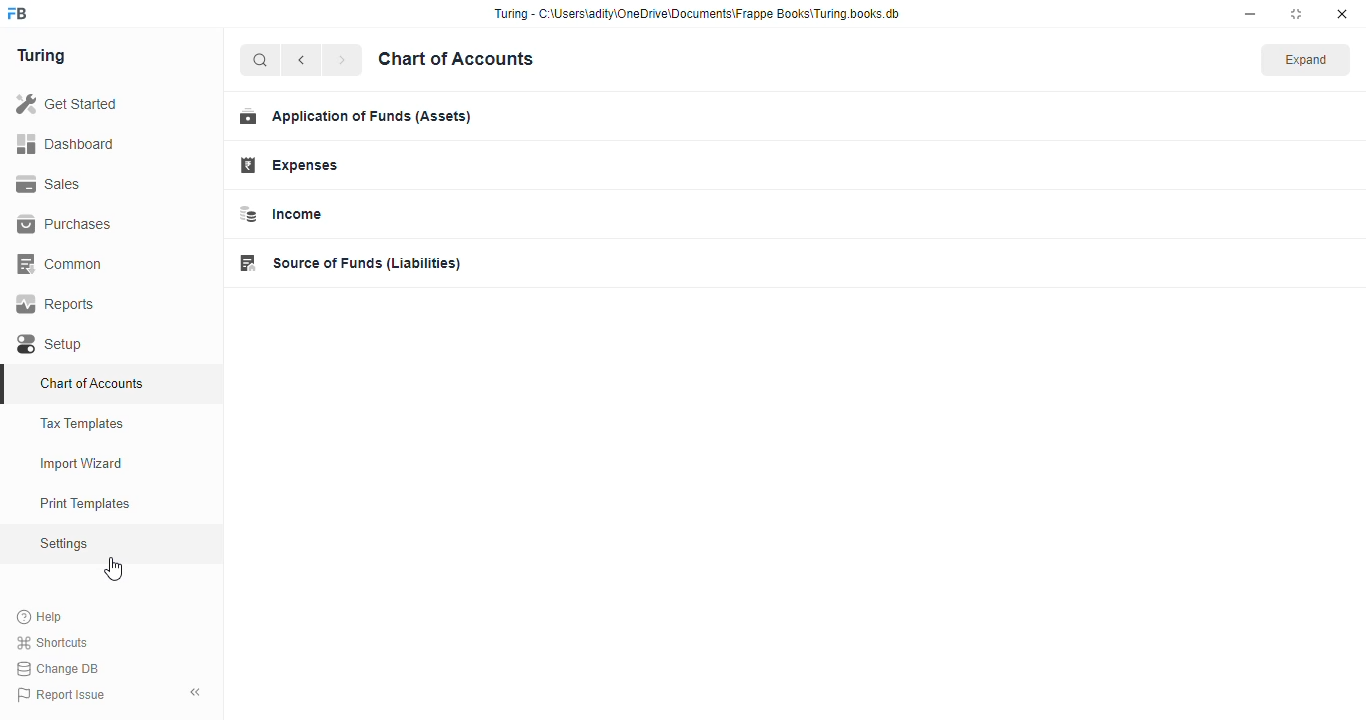 The width and height of the screenshot is (1366, 720). Describe the element at coordinates (57, 642) in the screenshot. I see `Shortcuts` at that location.